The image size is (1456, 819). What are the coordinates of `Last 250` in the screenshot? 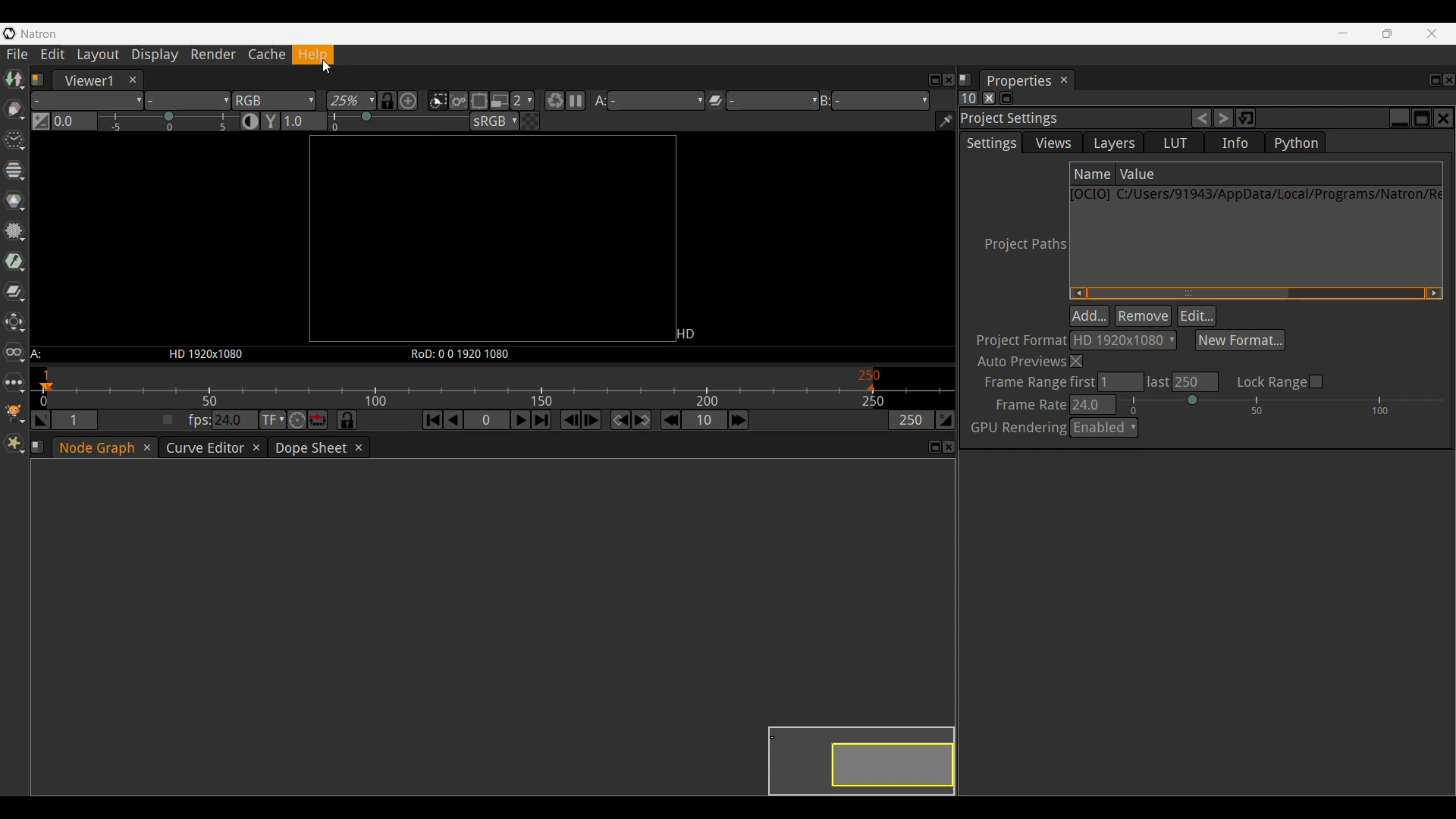 It's located at (1183, 382).